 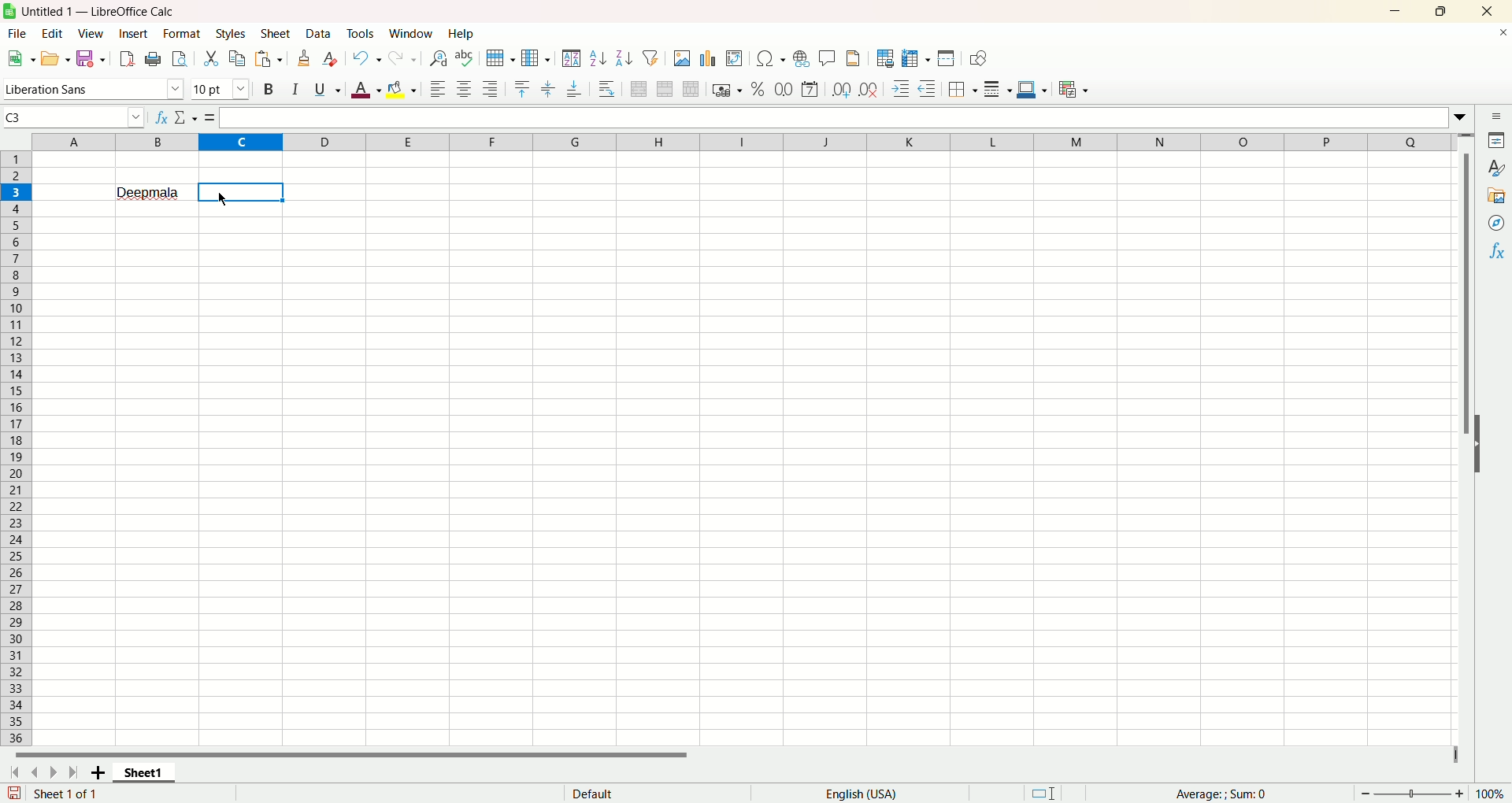 What do you see at coordinates (997, 90) in the screenshot?
I see `Border style` at bounding box center [997, 90].